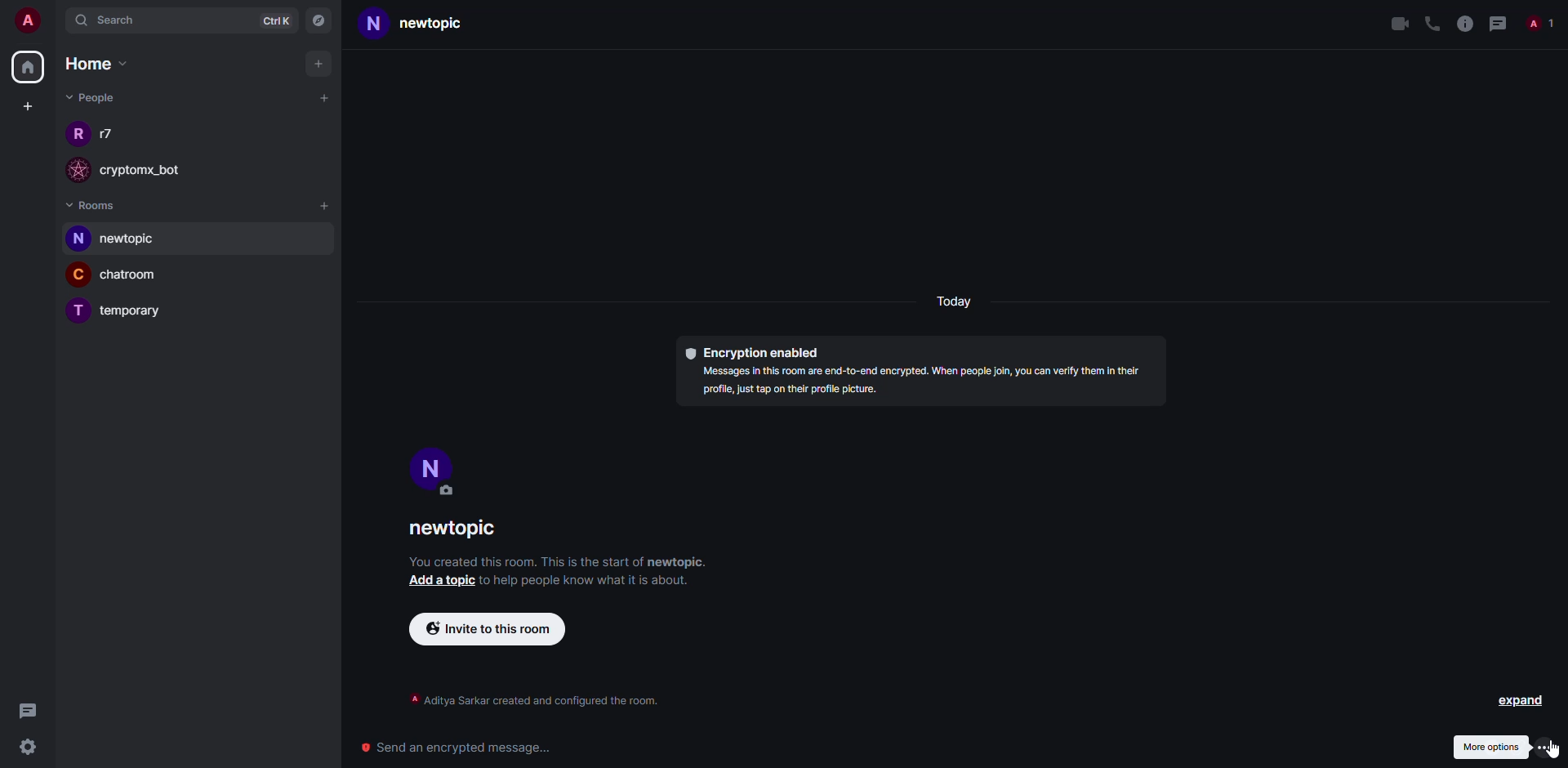  I want to click on ctrlK, so click(274, 22).